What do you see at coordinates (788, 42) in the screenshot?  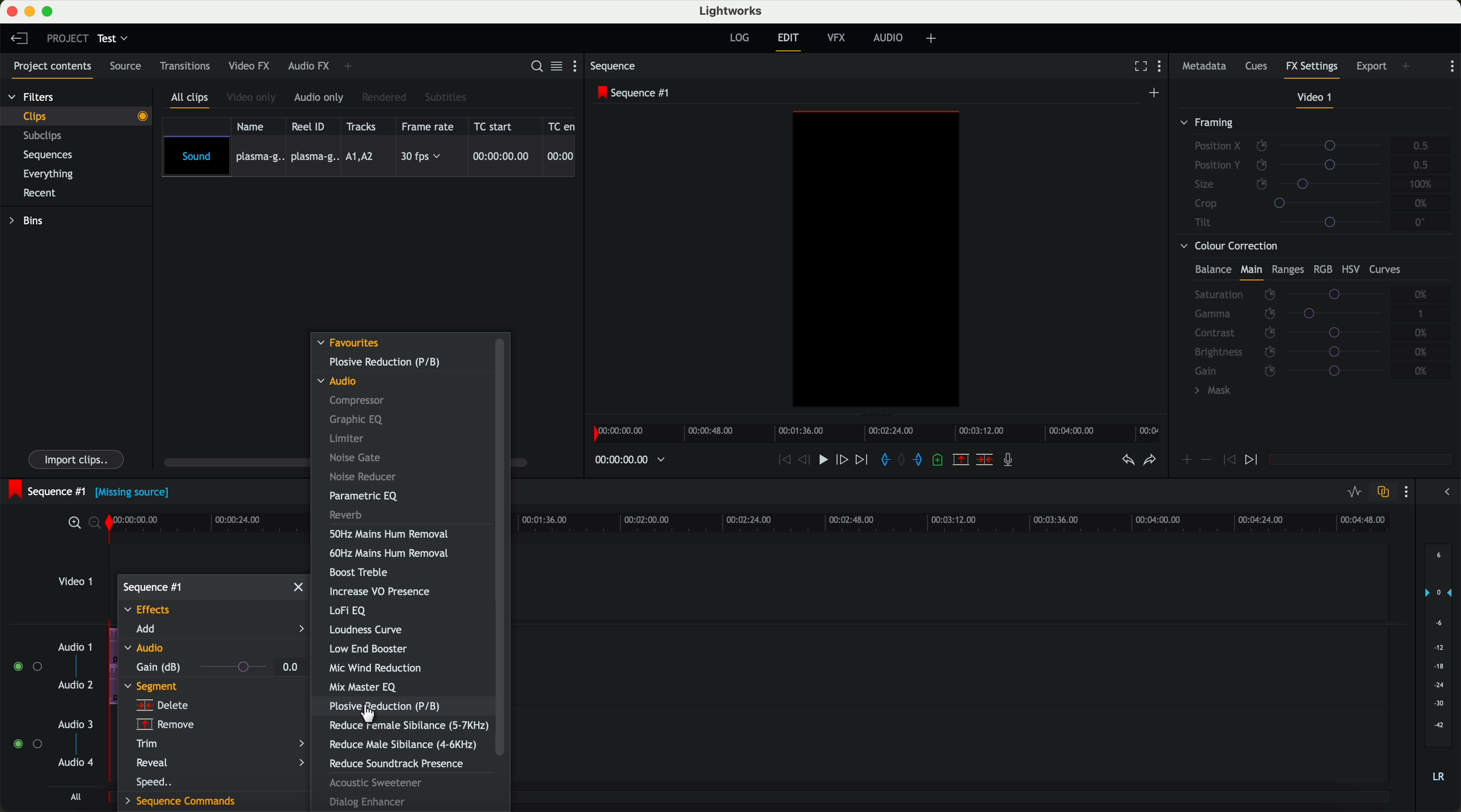 I see `exit` at bounding box center [788, 42].